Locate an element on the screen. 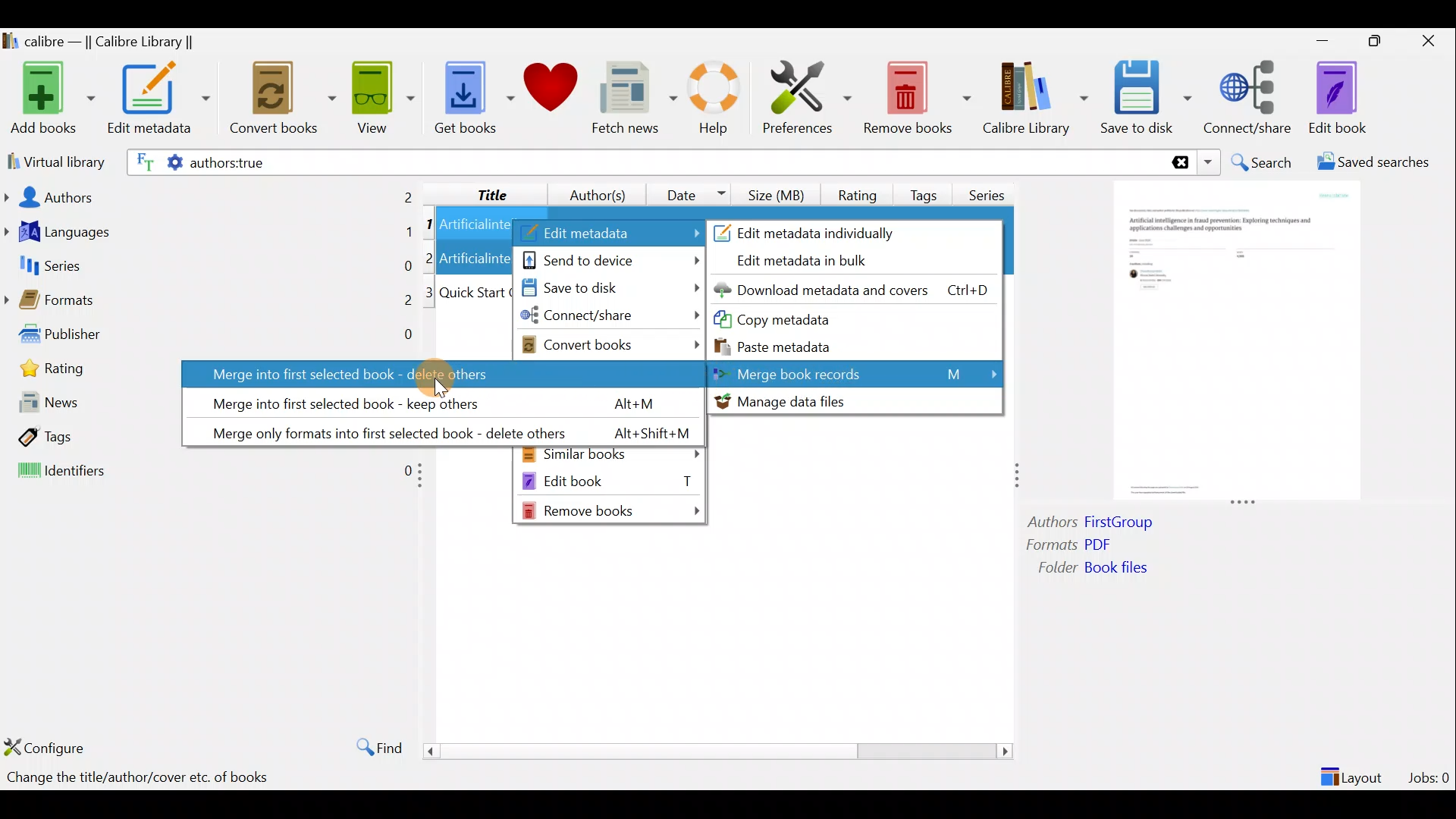  Maximize is located at coordinates (1382, 42).